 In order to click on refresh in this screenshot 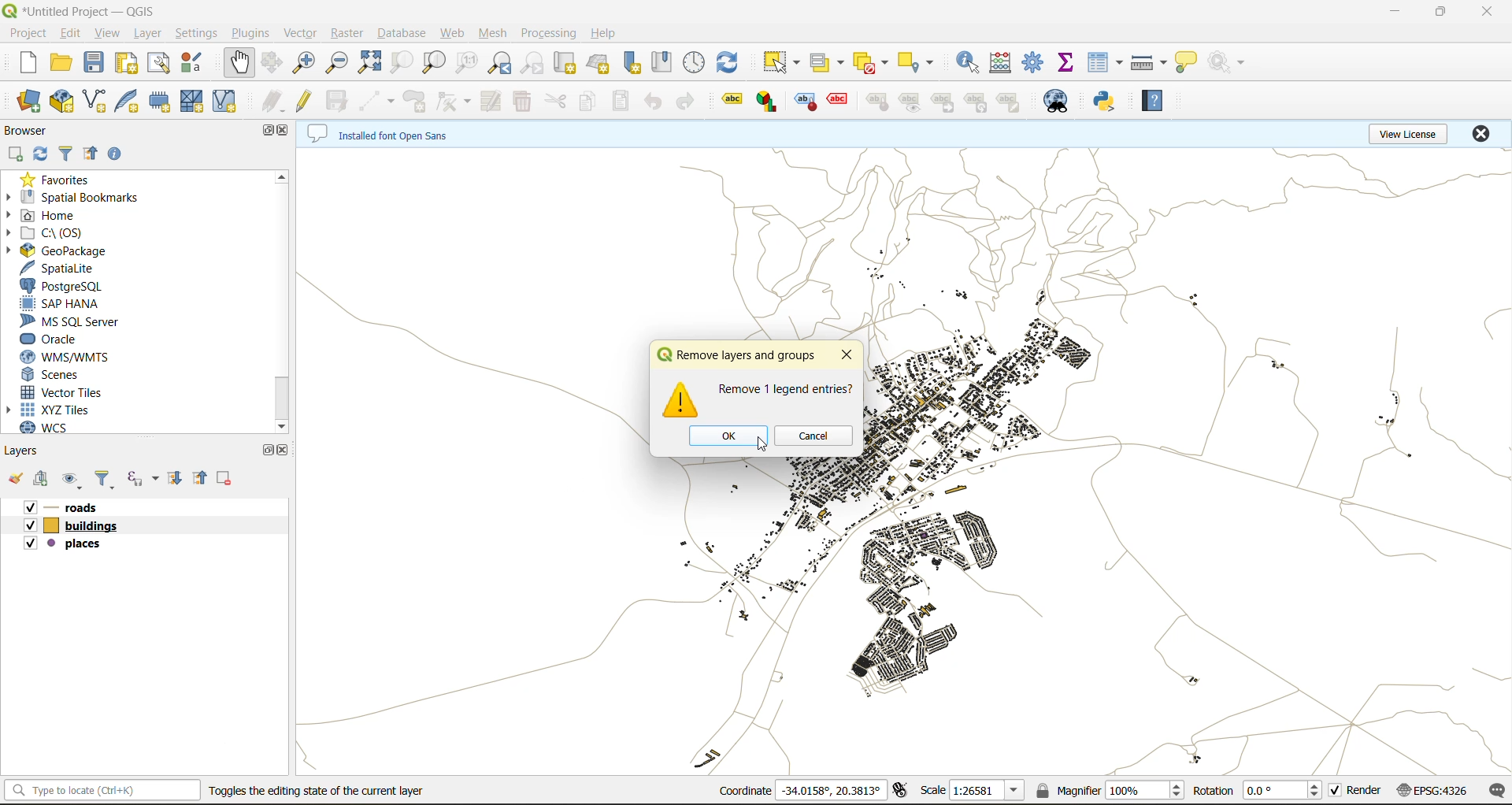, I will do `click(731, 63)`.